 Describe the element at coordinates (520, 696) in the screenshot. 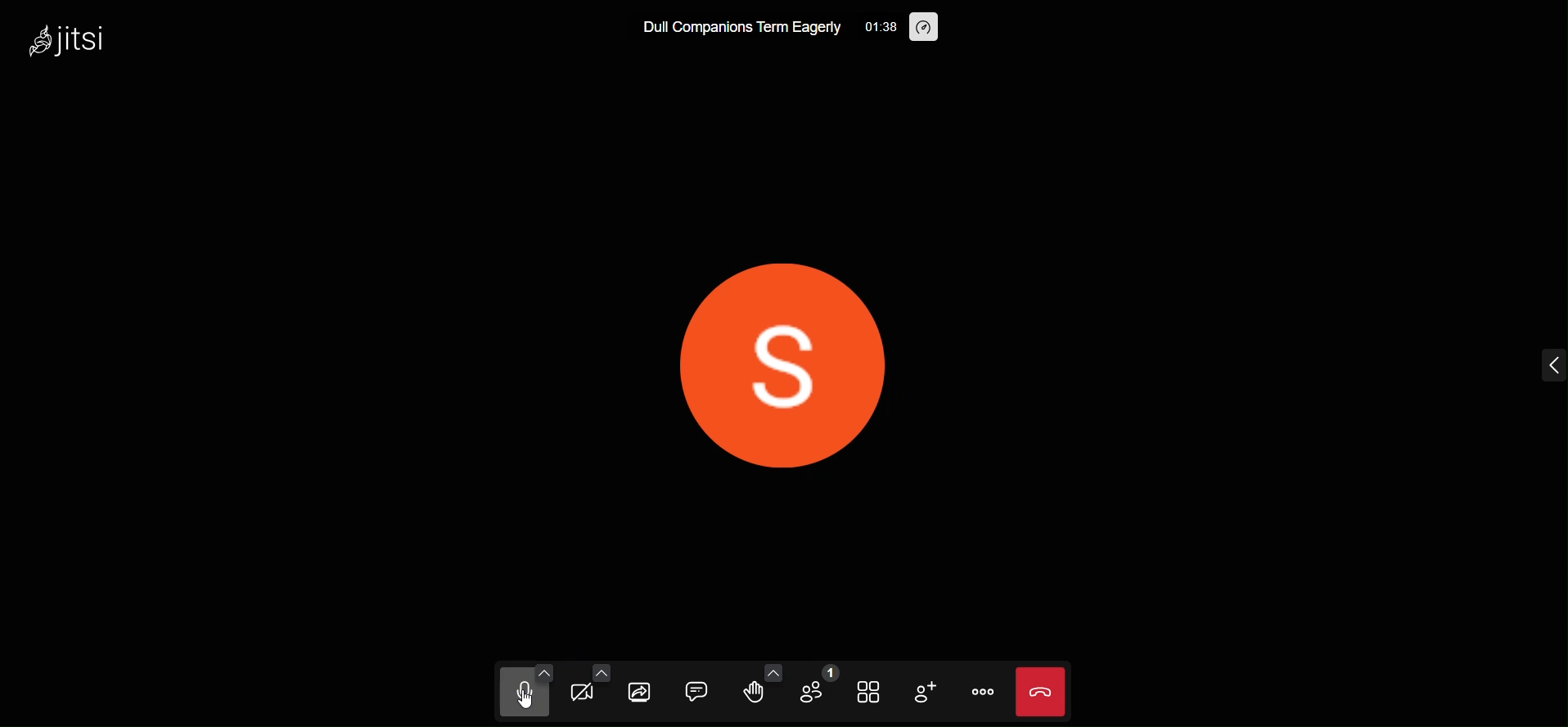

I see `microphone on` at that location.